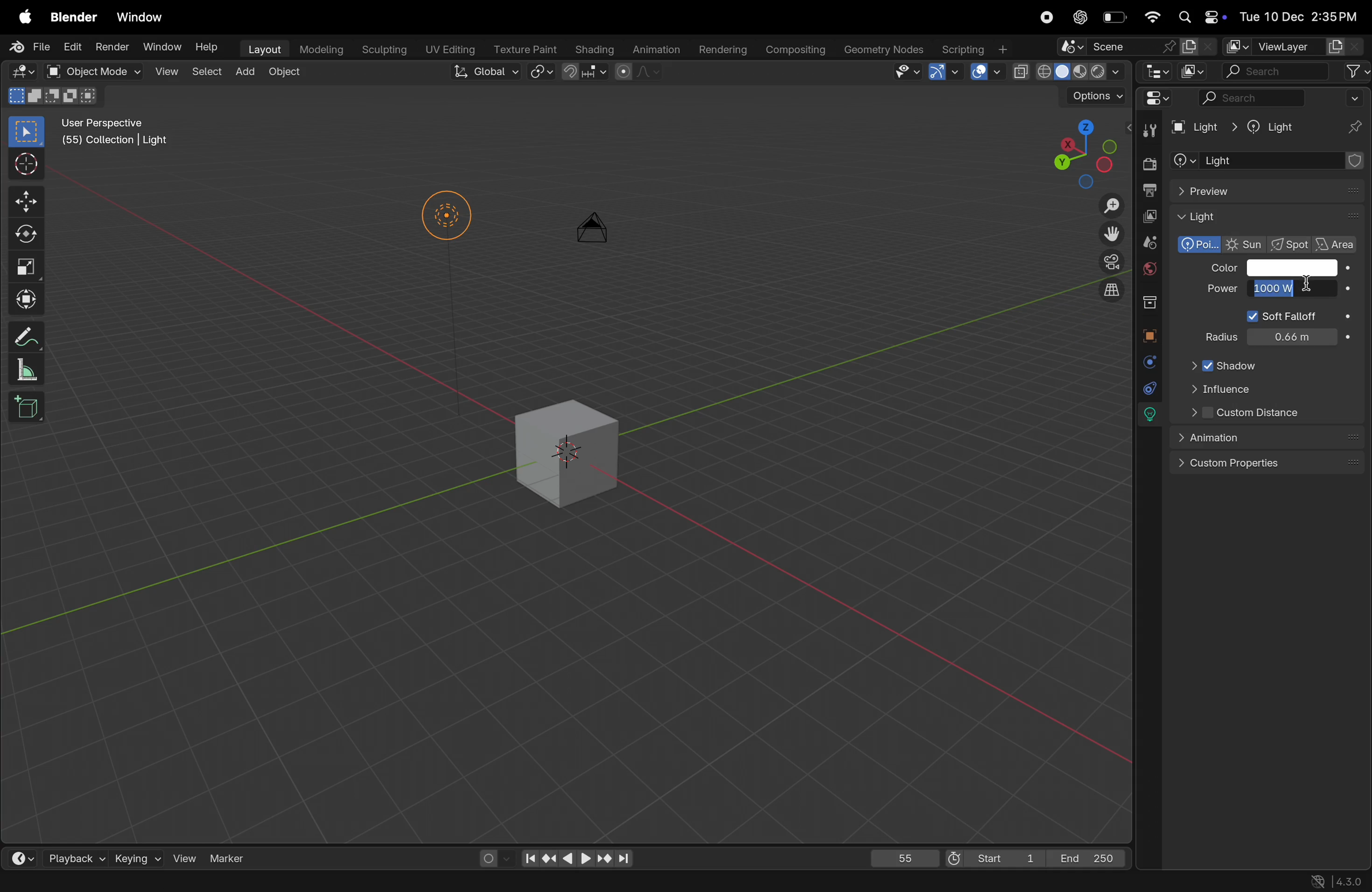 This screenshot has height=892, width=1372. What do you see at coordinates (262, 48) in the screenshot?
I see `layout` at bounding box center [262, 48].